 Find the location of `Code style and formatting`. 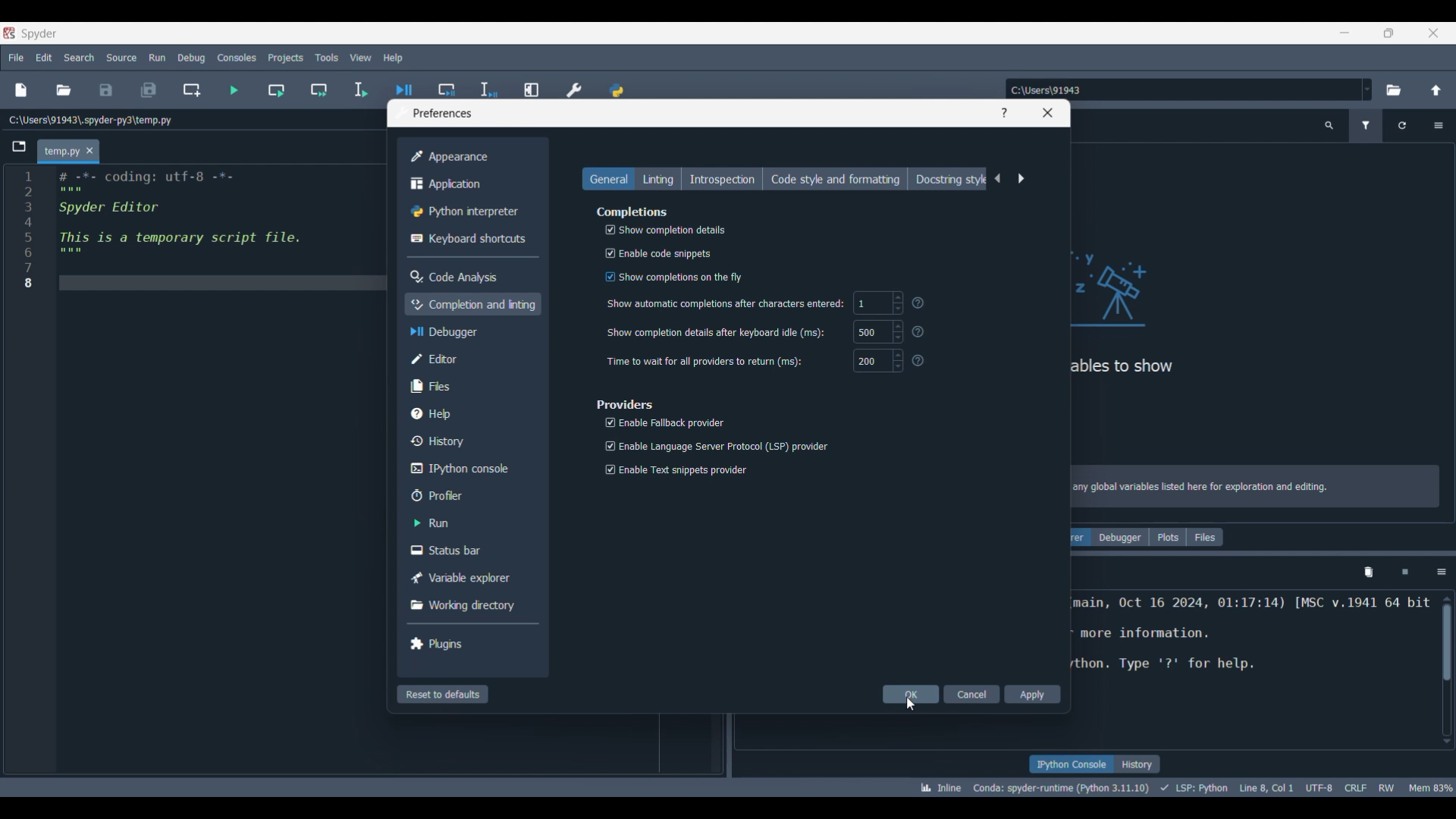

Code style and formatting is located at coordinates (835, 179).